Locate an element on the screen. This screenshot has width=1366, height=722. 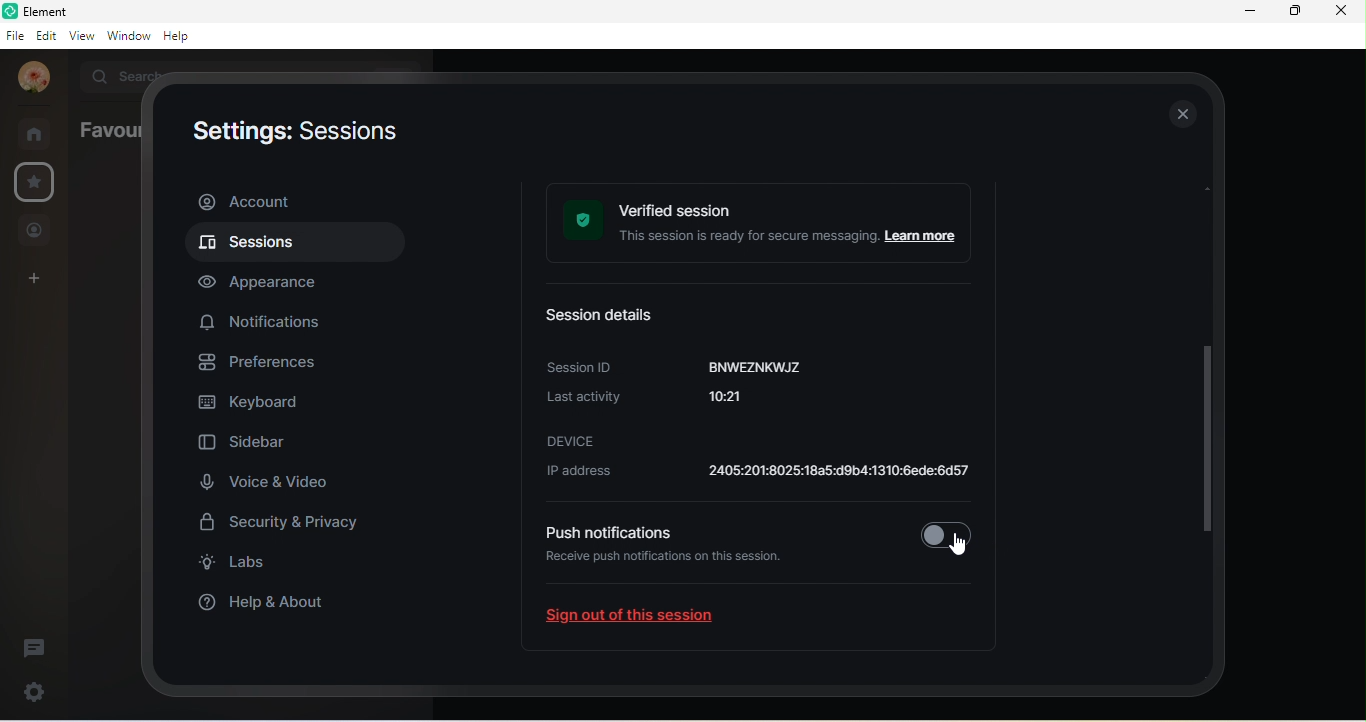
preferences is located at coordinates (267, 364).